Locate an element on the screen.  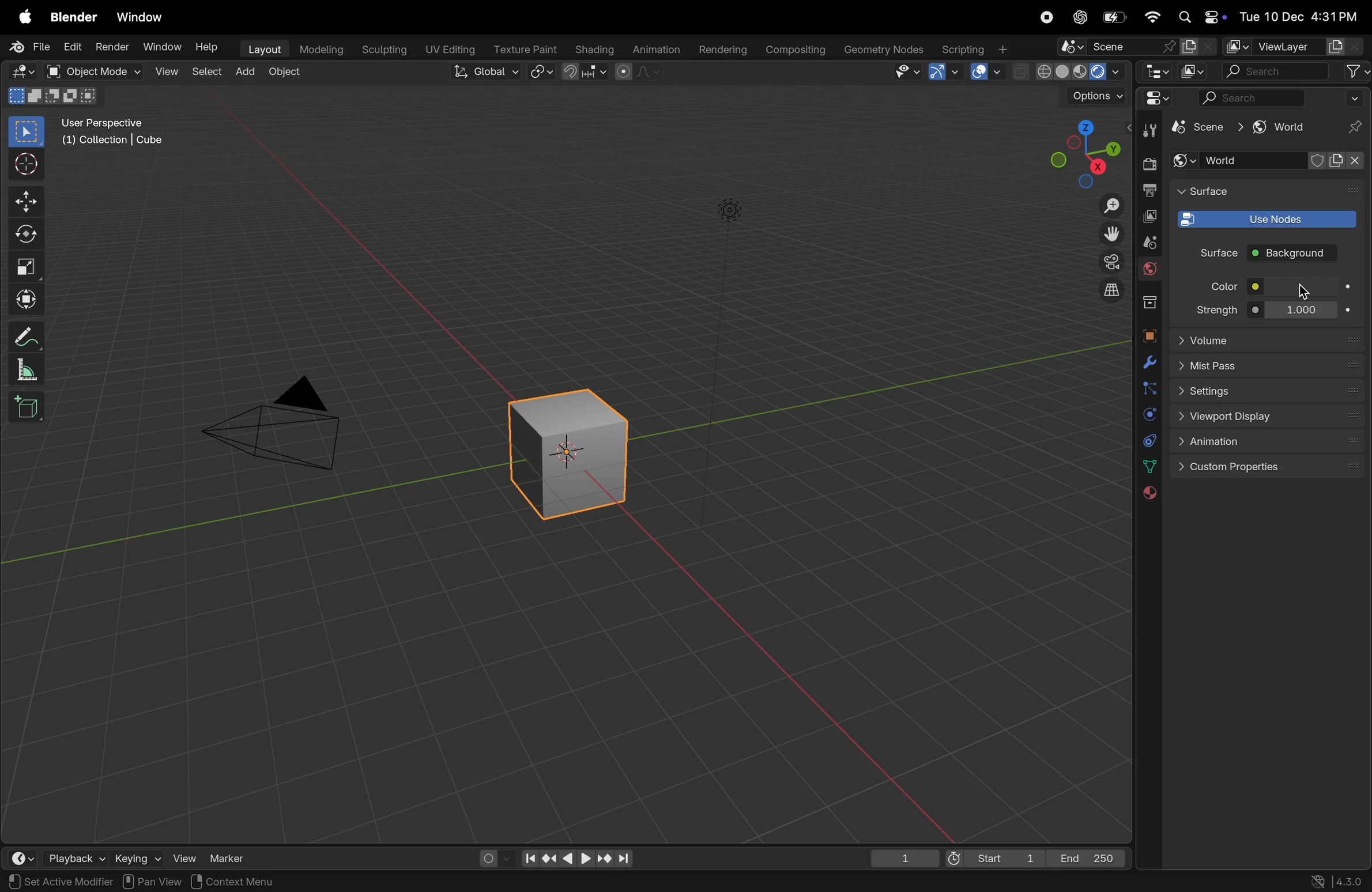
camera is located at coordinates (1105, 263).